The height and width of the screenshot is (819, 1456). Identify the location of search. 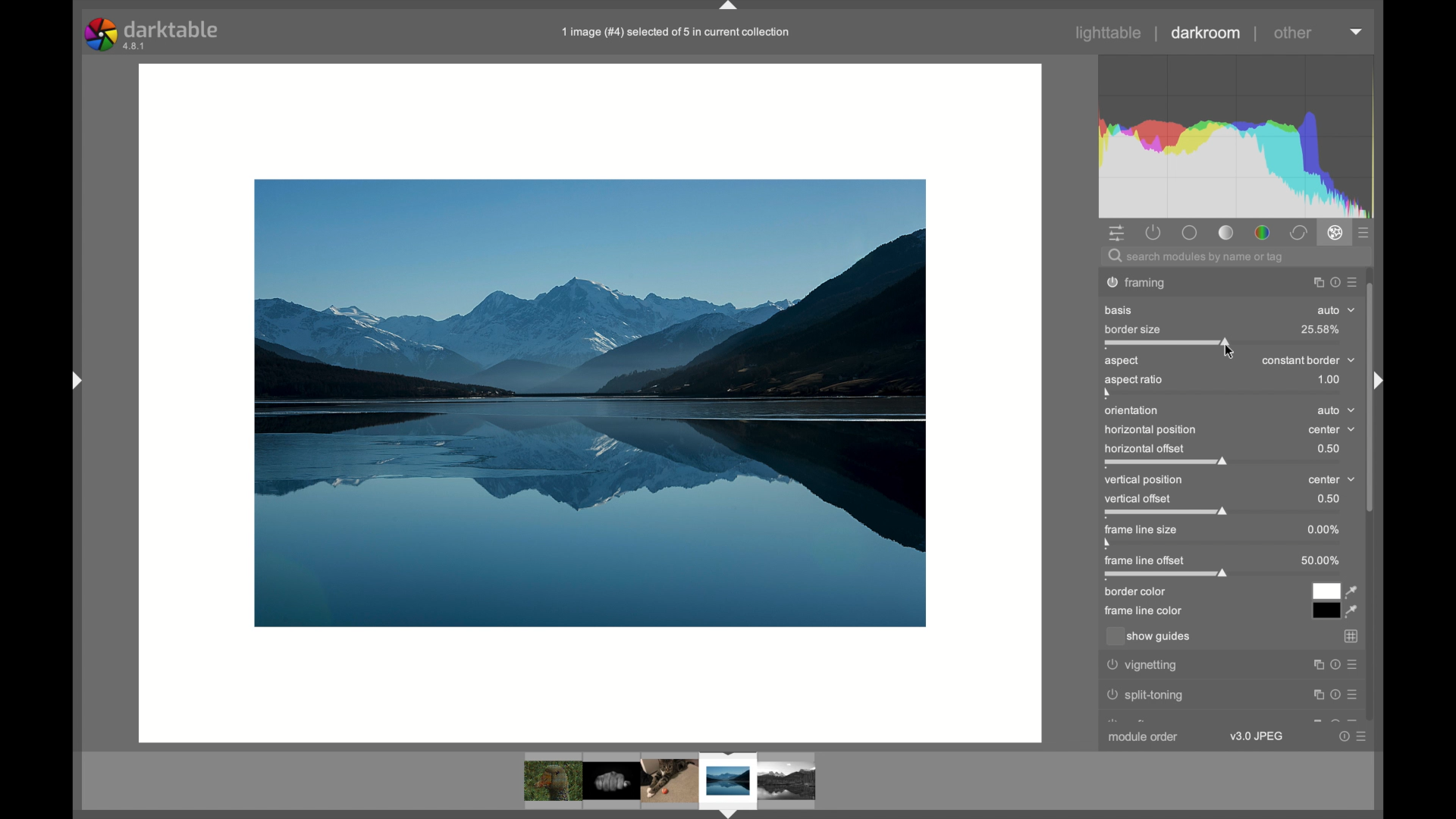
(1197, 258).